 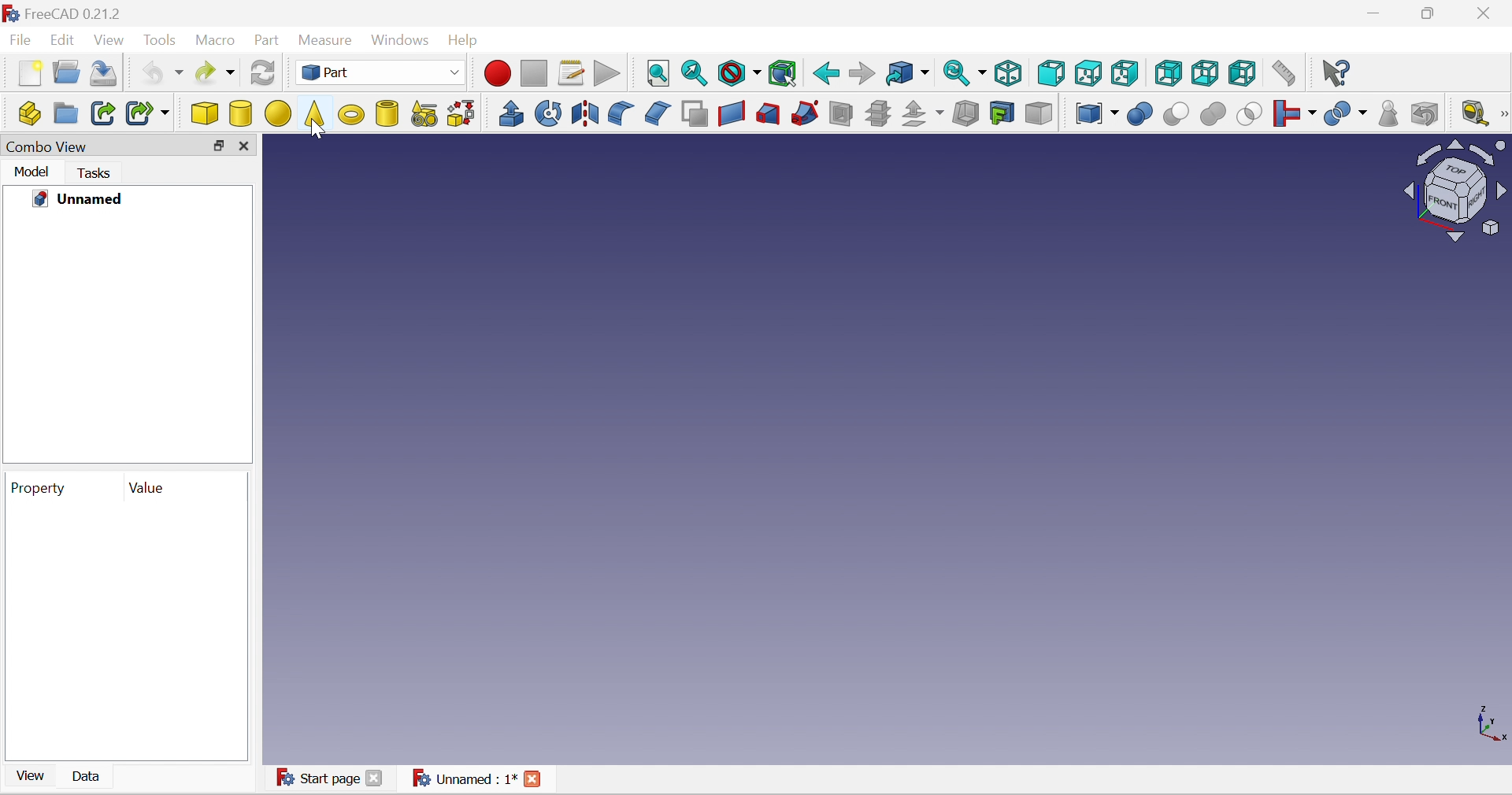 I want to click on Value, so click(x=145, y=489).